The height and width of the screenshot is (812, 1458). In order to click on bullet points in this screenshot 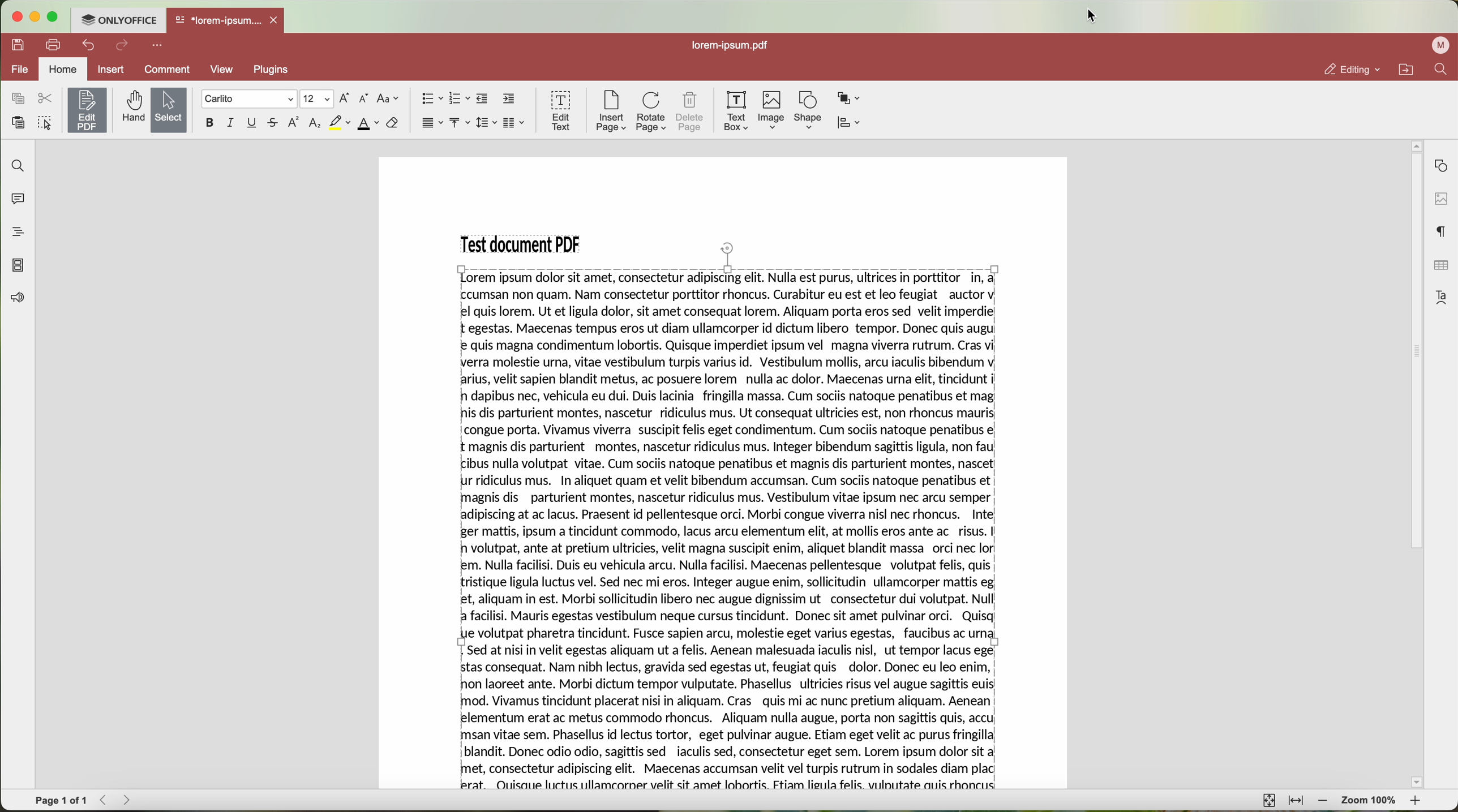, I will do `click(431, 98)`.